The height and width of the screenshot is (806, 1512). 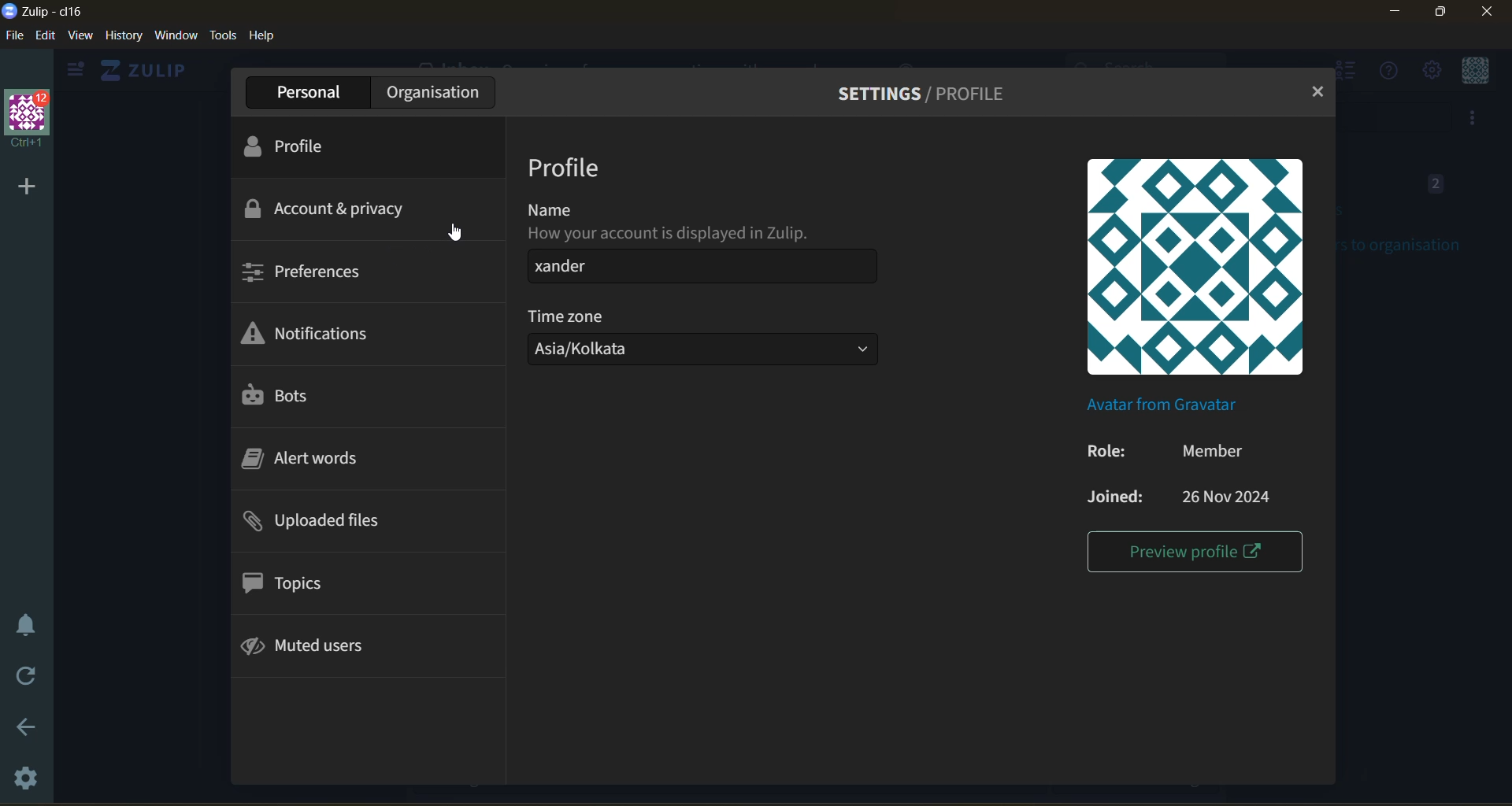 What do you see at coordinates (20, 183) in the screenshot?
I see `add organisation` at bounding box center [20, 183].